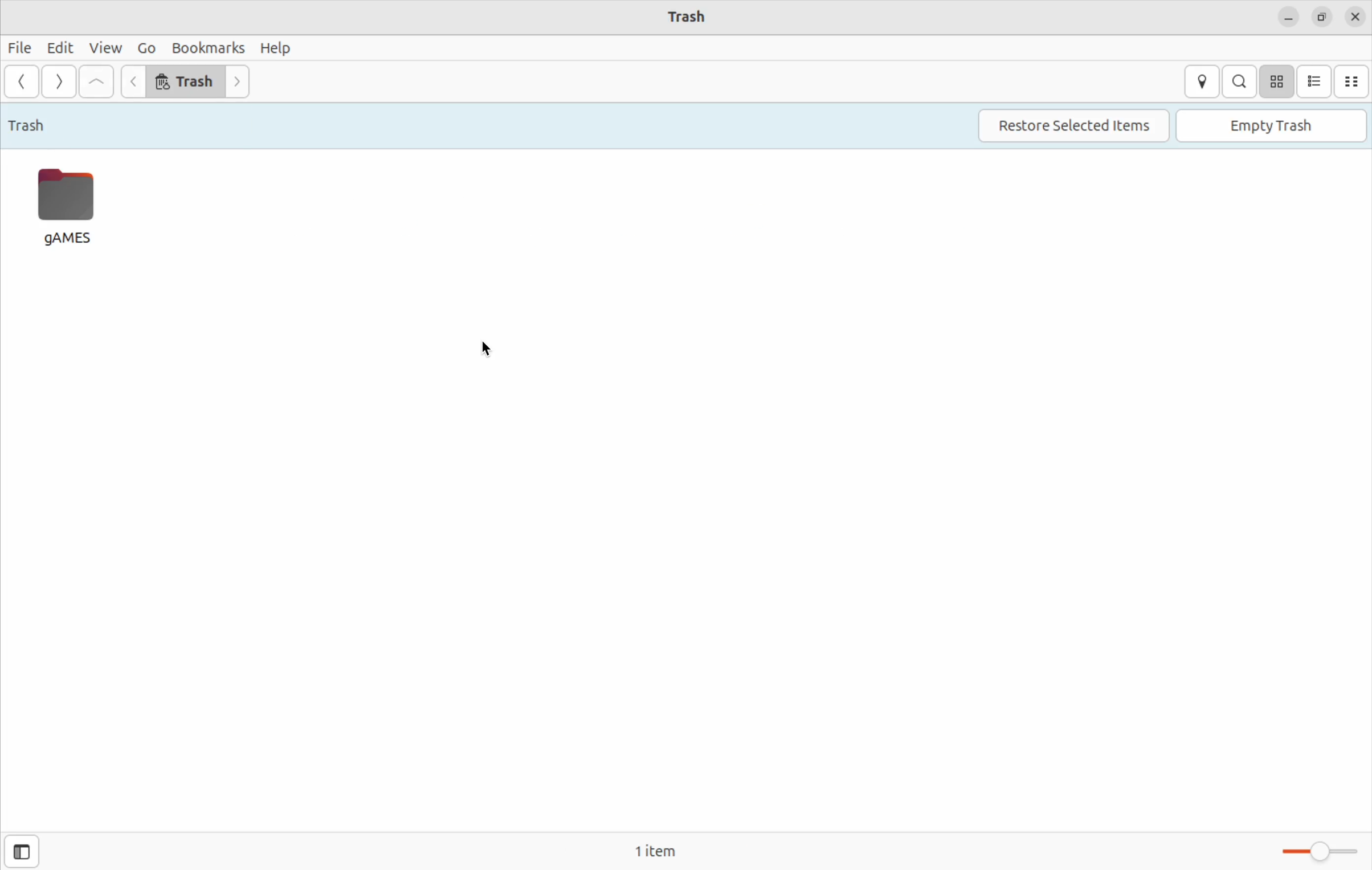 This screenshot has height=870, width=1372. Describe the element at coordinates (1357, 17) in the screenshot. I see `close` at that location.